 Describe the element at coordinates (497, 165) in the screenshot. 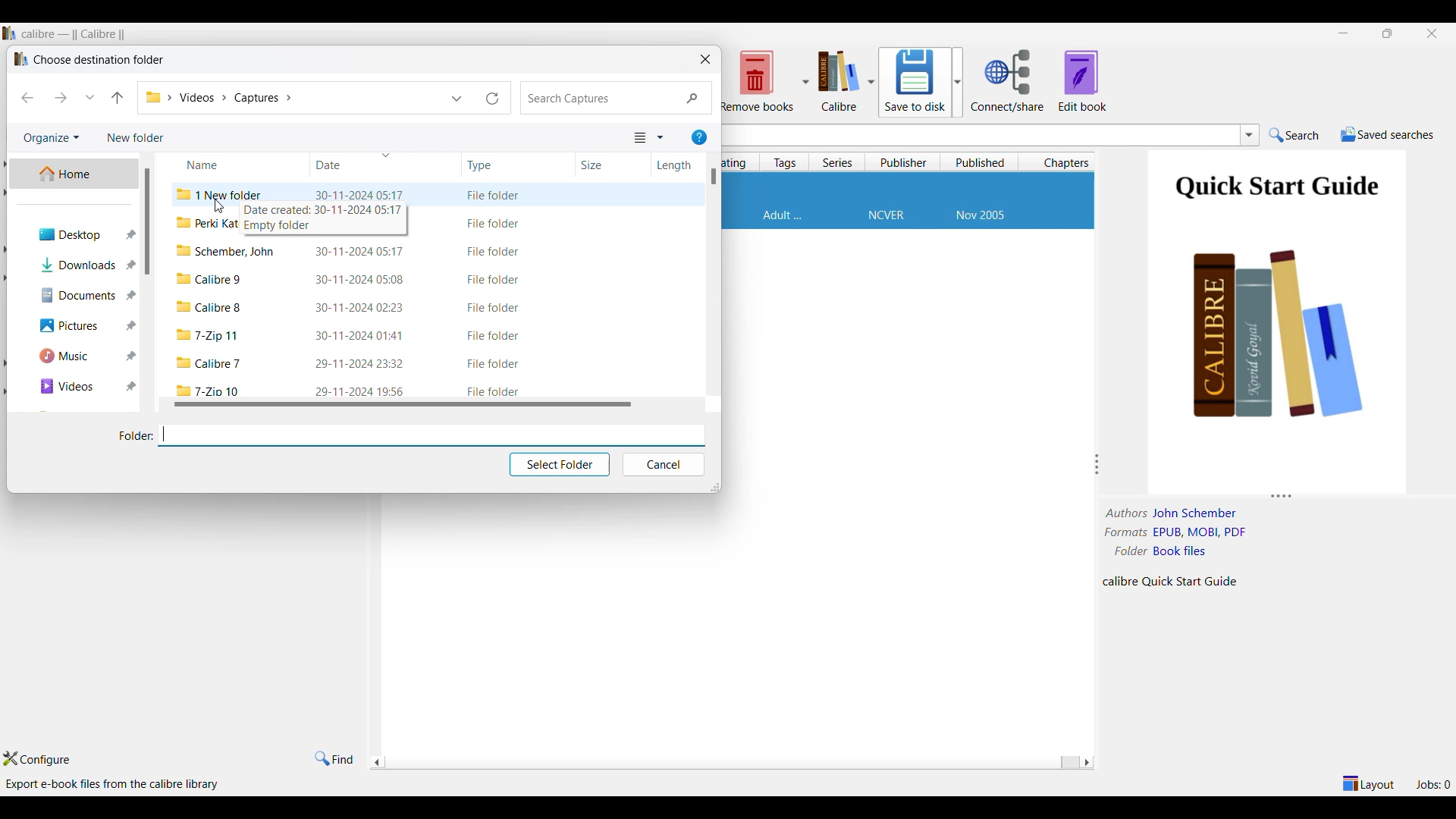

I see `Type column` at that location.